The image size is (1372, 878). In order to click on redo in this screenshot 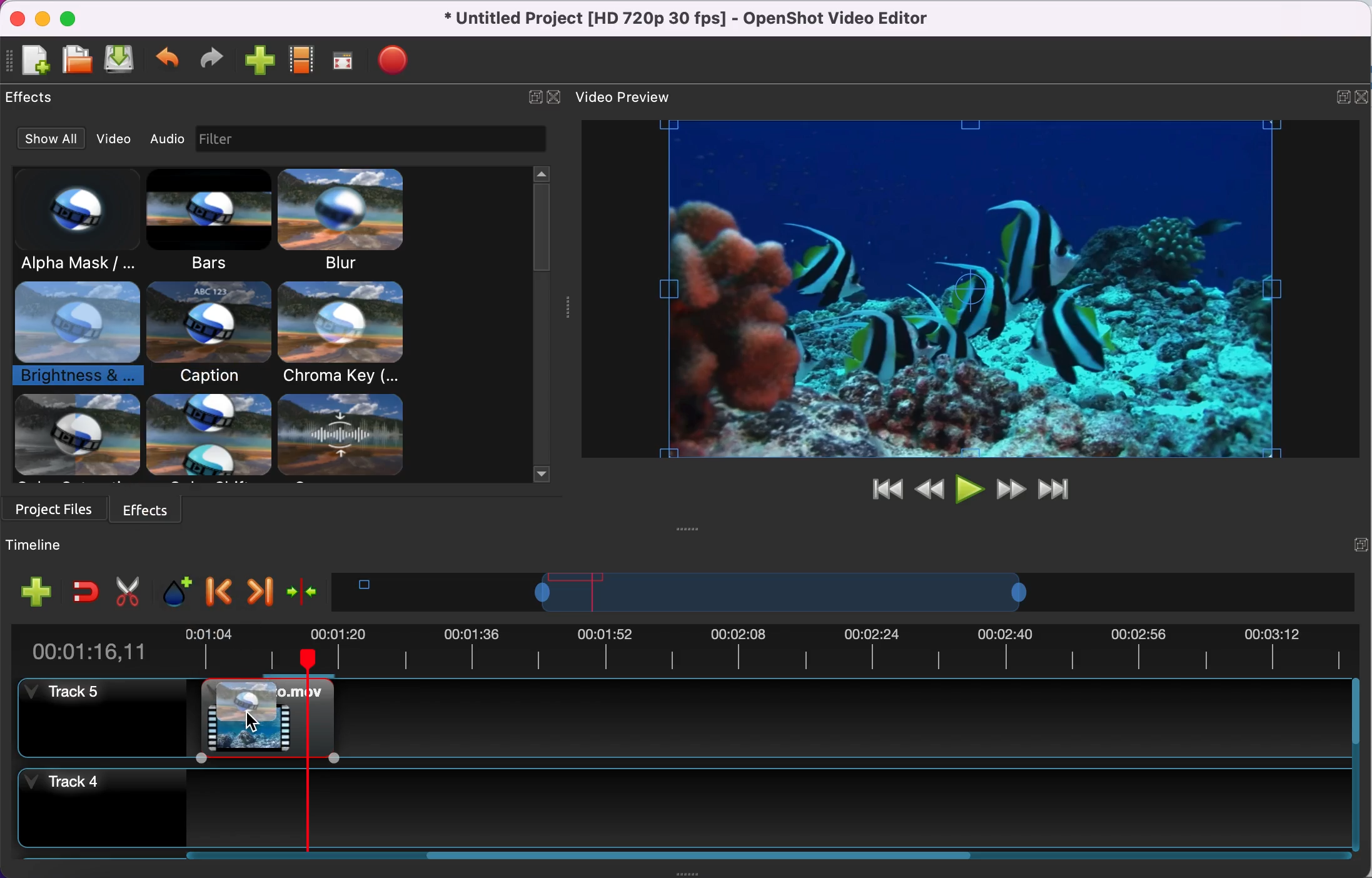, I will do `click(208, 60)`.